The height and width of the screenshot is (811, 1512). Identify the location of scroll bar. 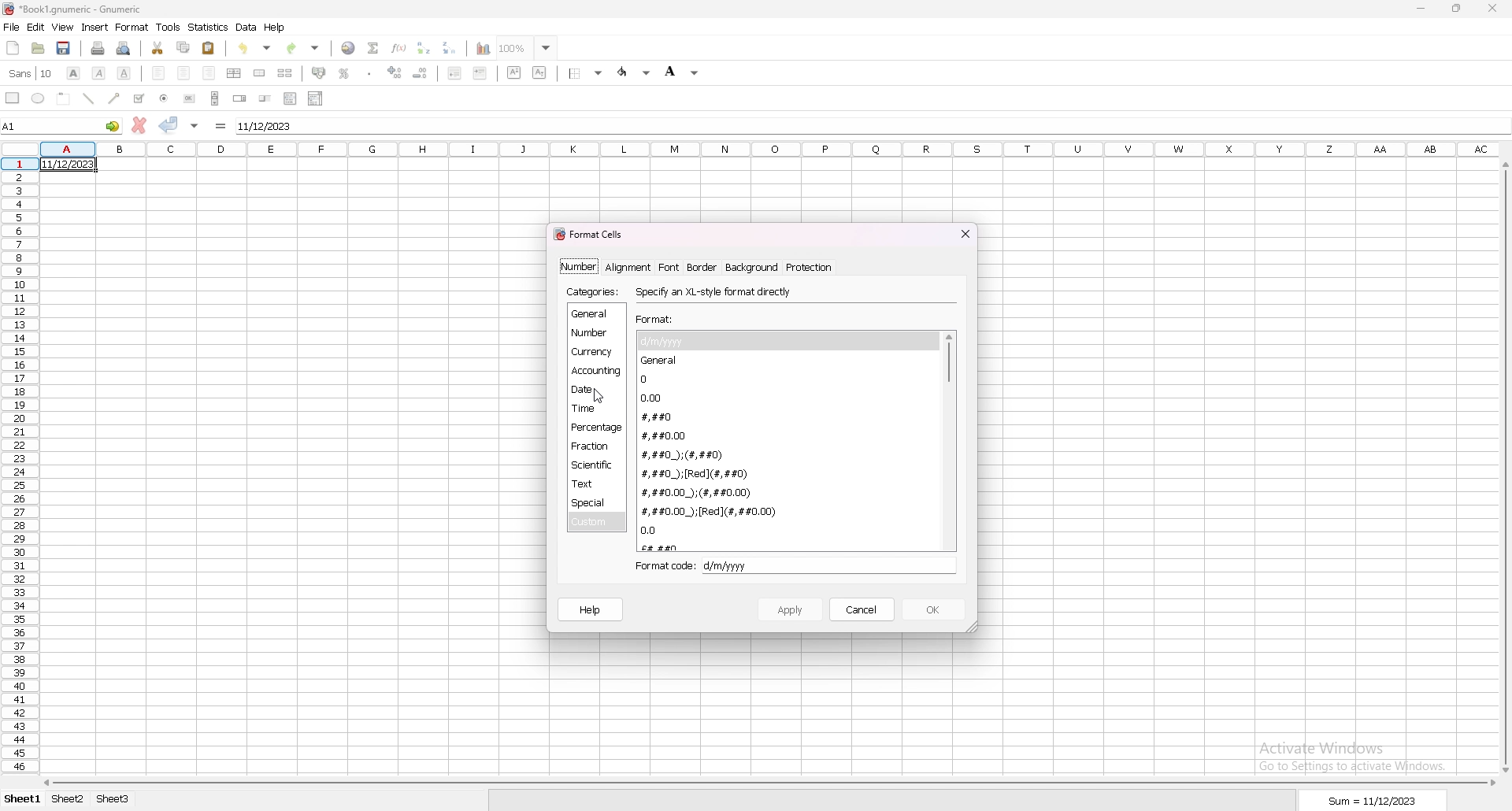
(215, 98).